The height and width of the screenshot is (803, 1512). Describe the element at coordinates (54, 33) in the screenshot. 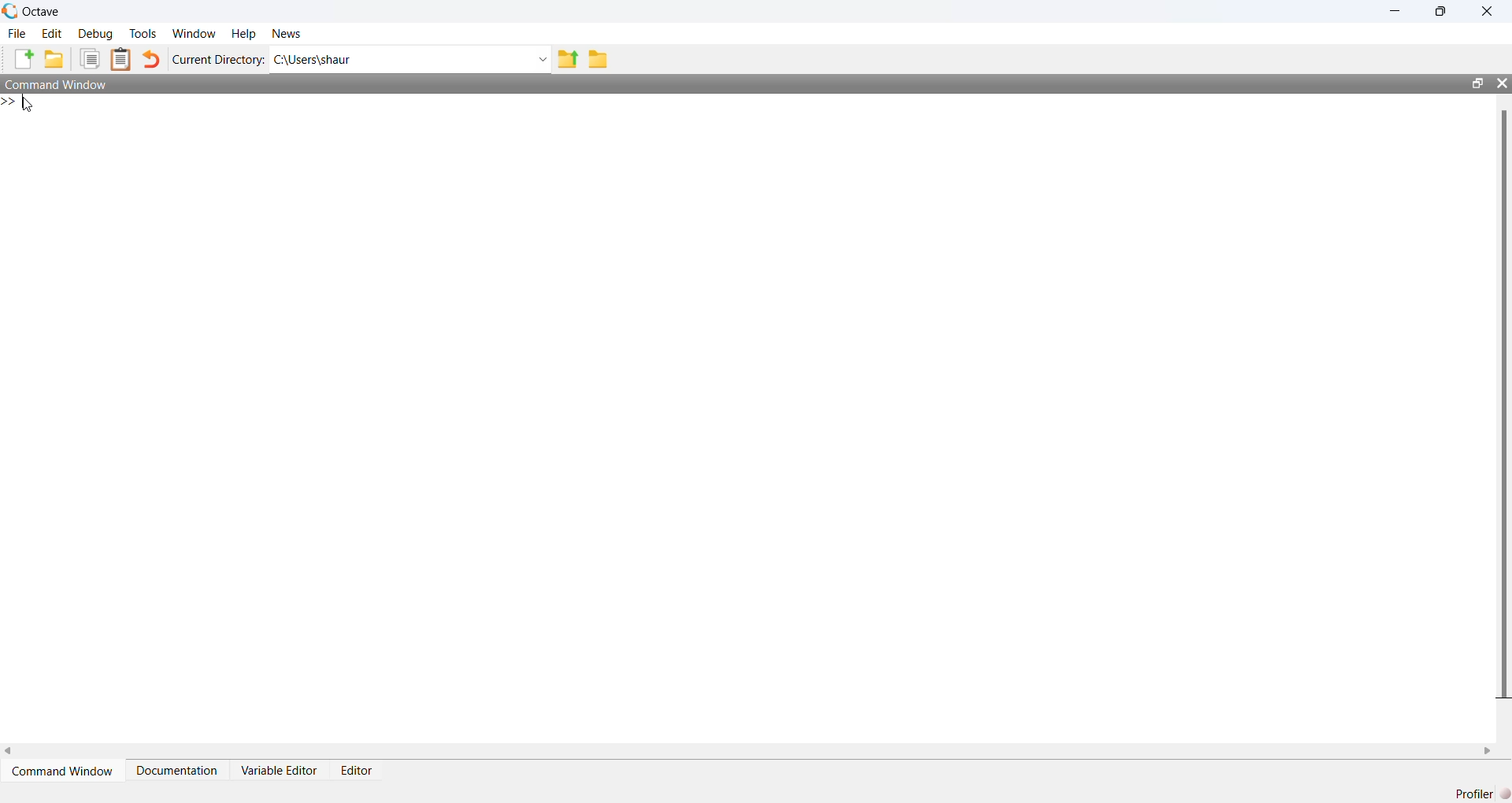

I see `edit` at that location.